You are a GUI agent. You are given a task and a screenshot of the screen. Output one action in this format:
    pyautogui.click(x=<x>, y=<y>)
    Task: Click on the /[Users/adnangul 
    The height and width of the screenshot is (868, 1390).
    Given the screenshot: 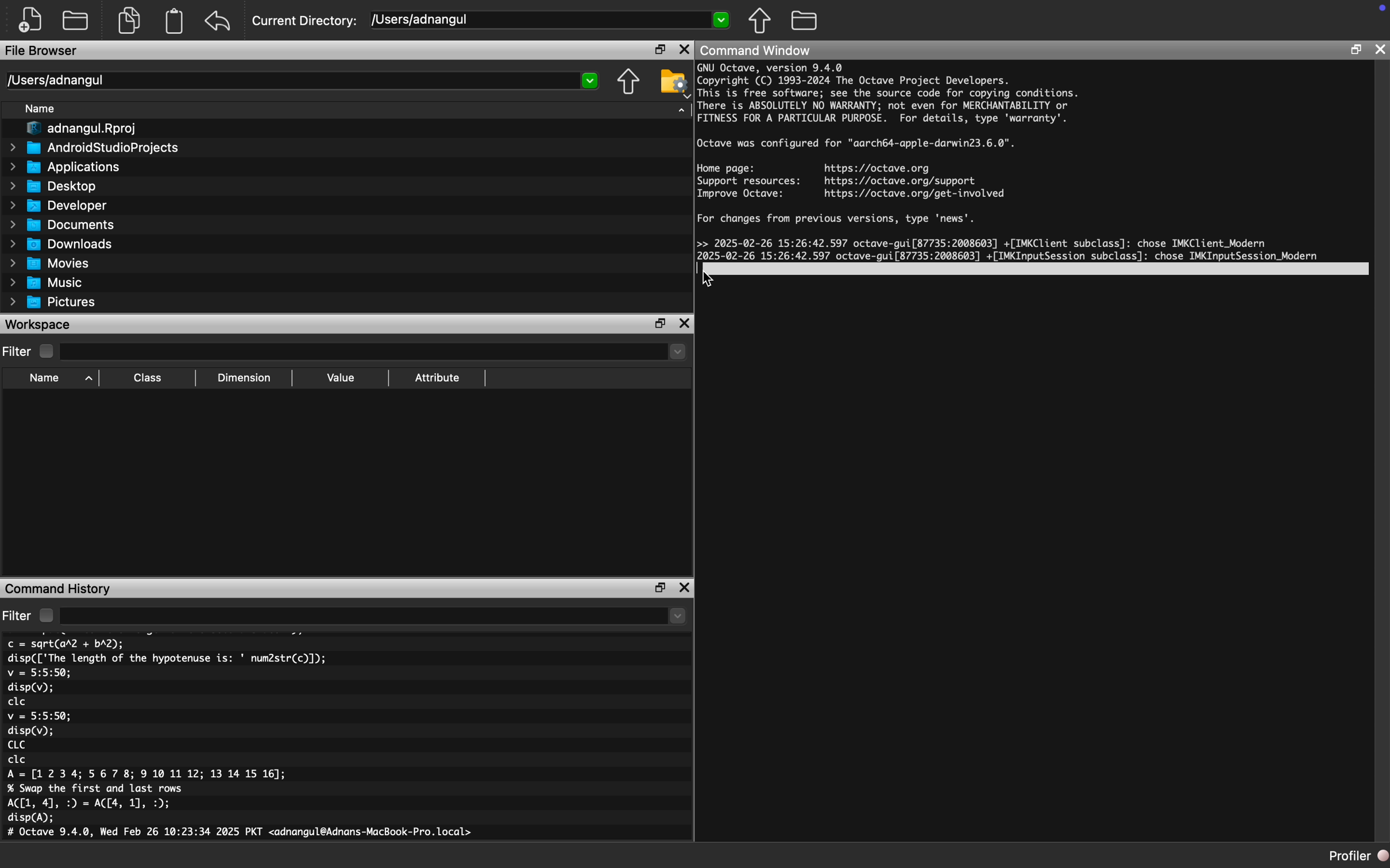 What is the action you would take?
    pyautogui.click(x=551, y=21)
    